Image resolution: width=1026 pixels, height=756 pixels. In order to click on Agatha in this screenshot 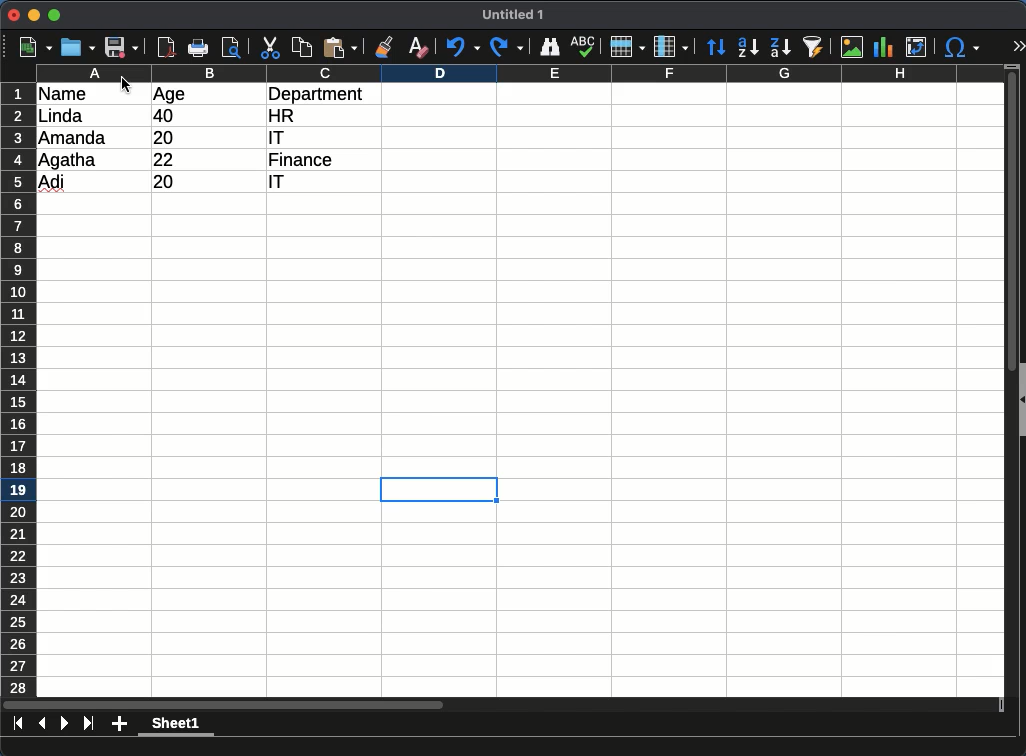, I will do `click(68, 160)`.